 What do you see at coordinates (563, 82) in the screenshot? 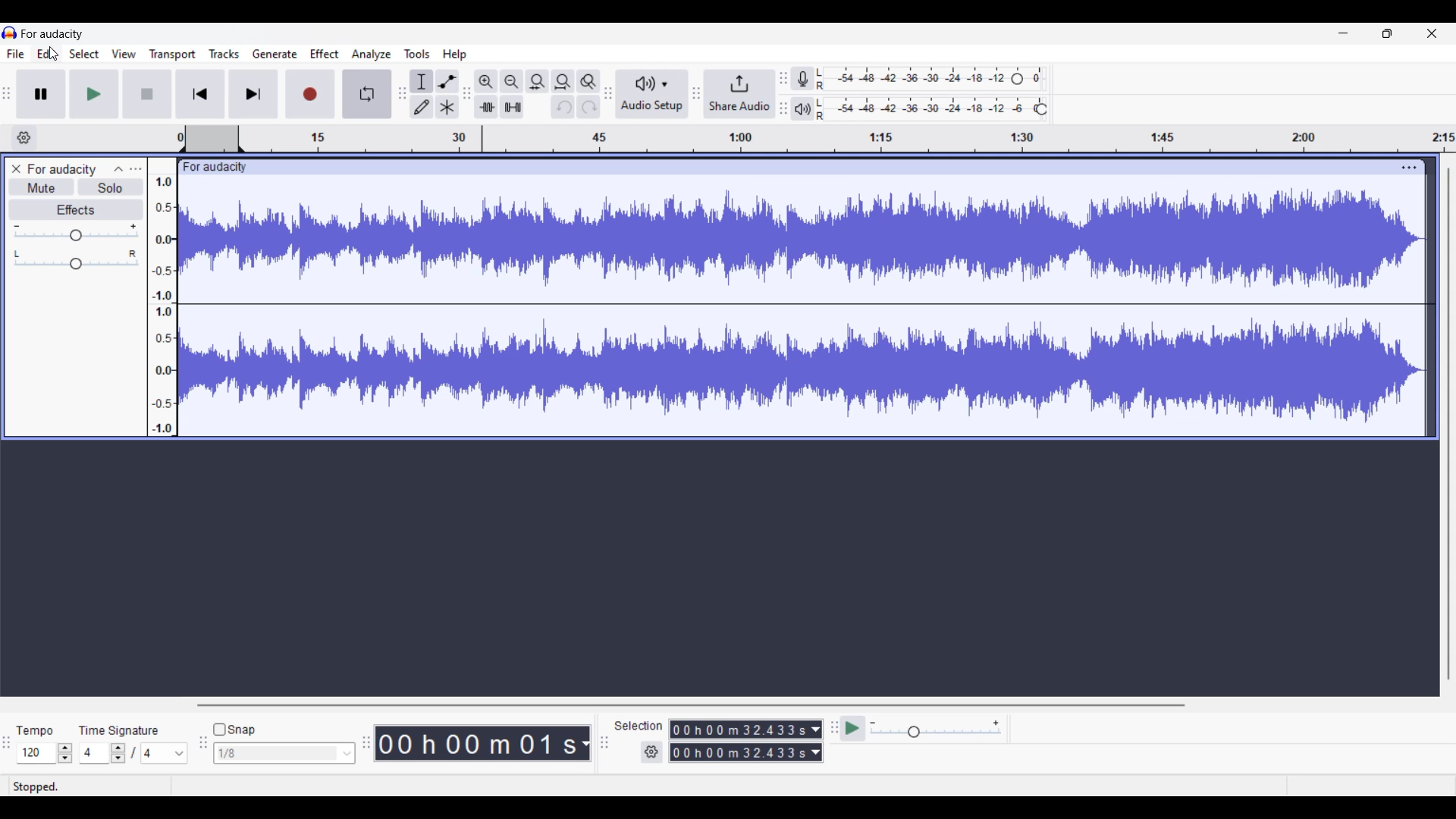
I see `Fit project to width` at bounding box center [563, 82].